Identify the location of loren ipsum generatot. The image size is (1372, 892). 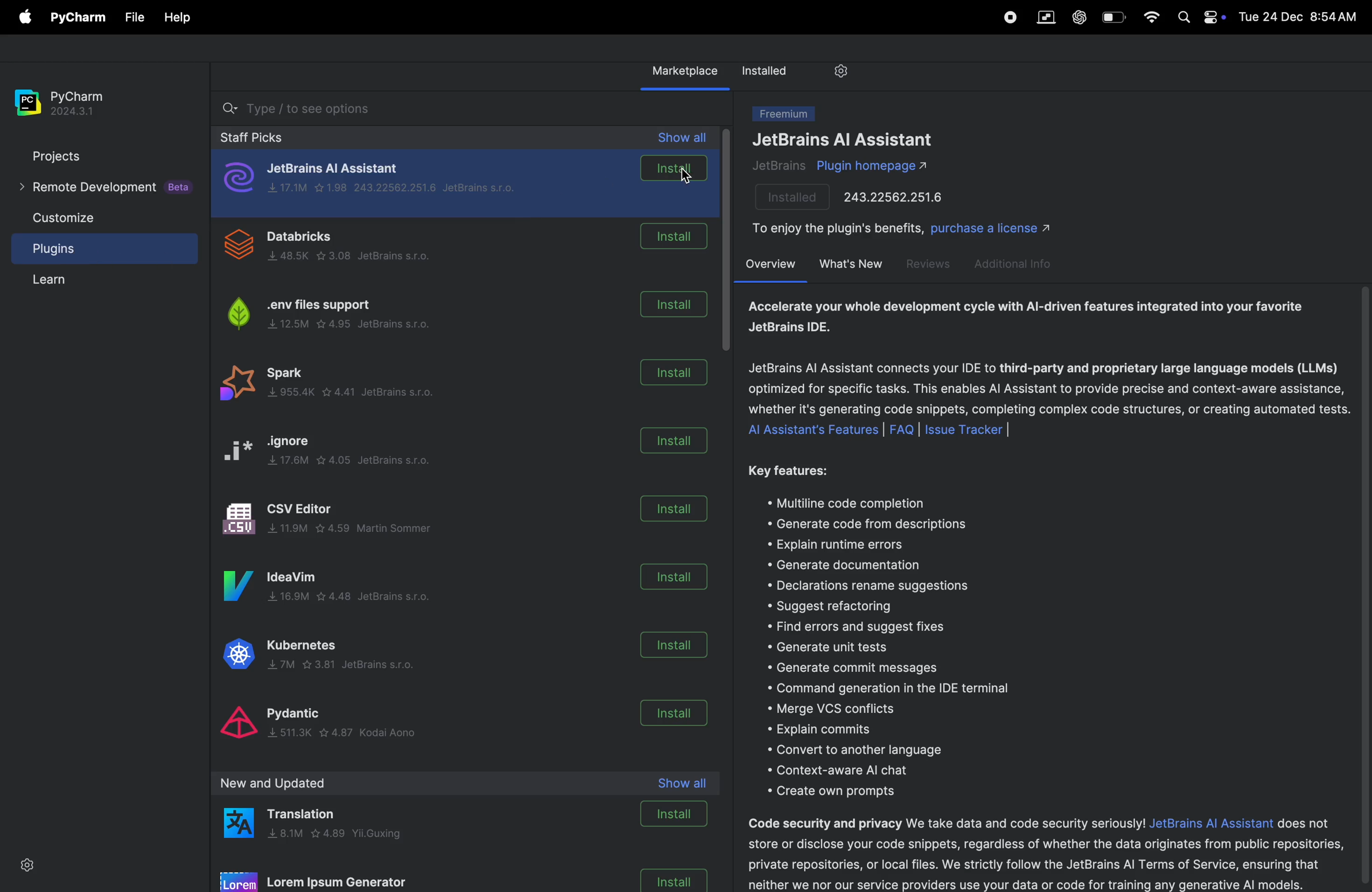
(334, 881).